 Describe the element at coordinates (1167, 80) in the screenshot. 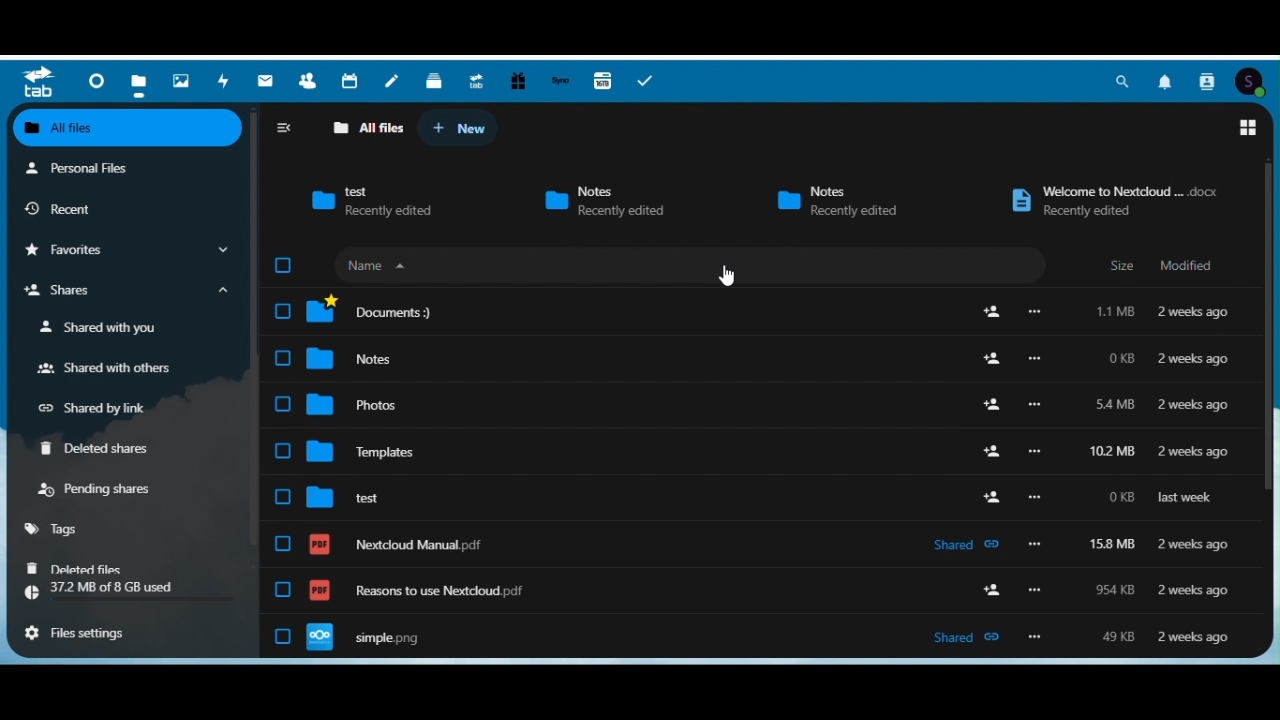

I see `Notifications` at that location.